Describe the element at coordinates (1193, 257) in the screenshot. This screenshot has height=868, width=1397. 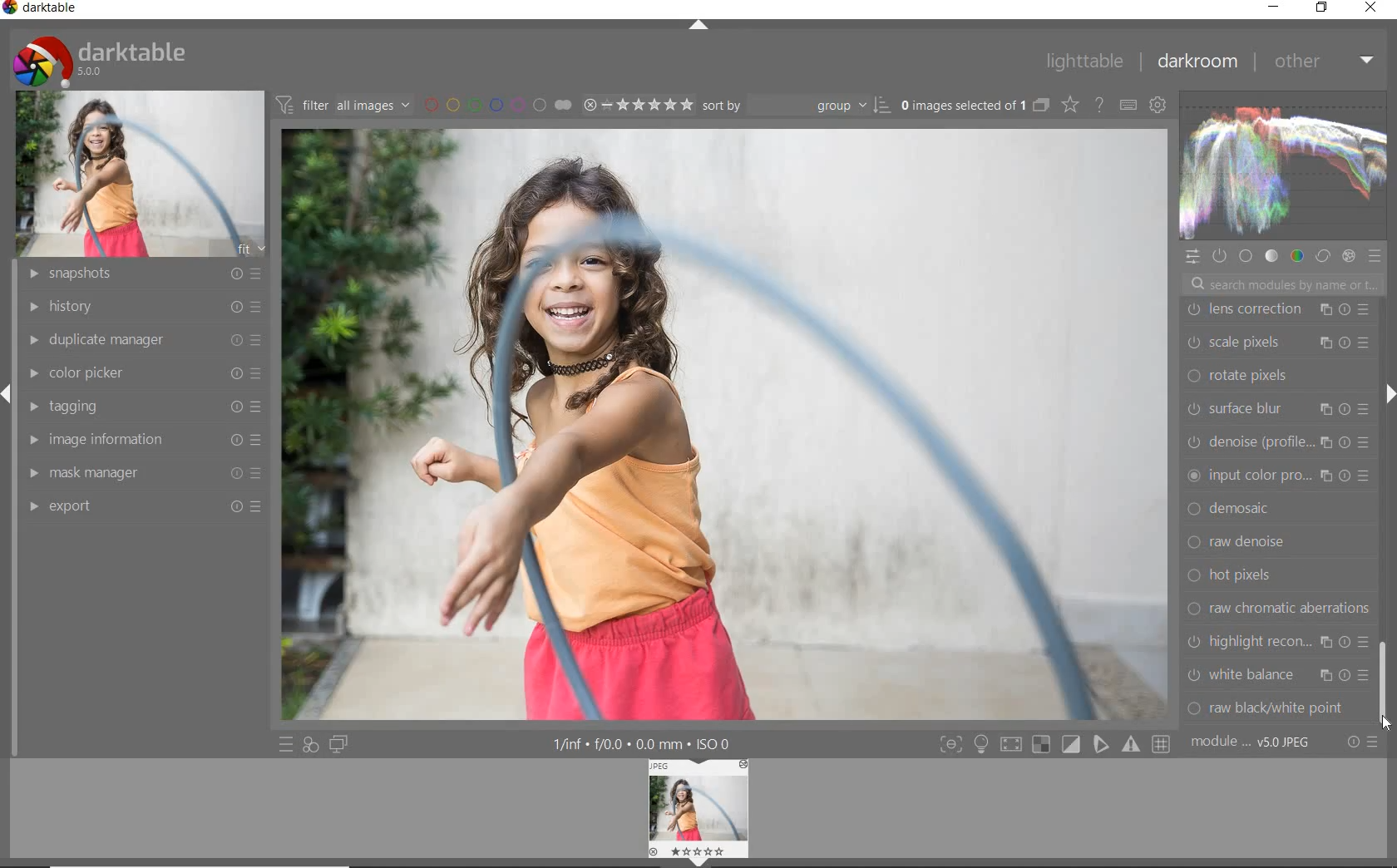
I see `quick access panel` at that location.